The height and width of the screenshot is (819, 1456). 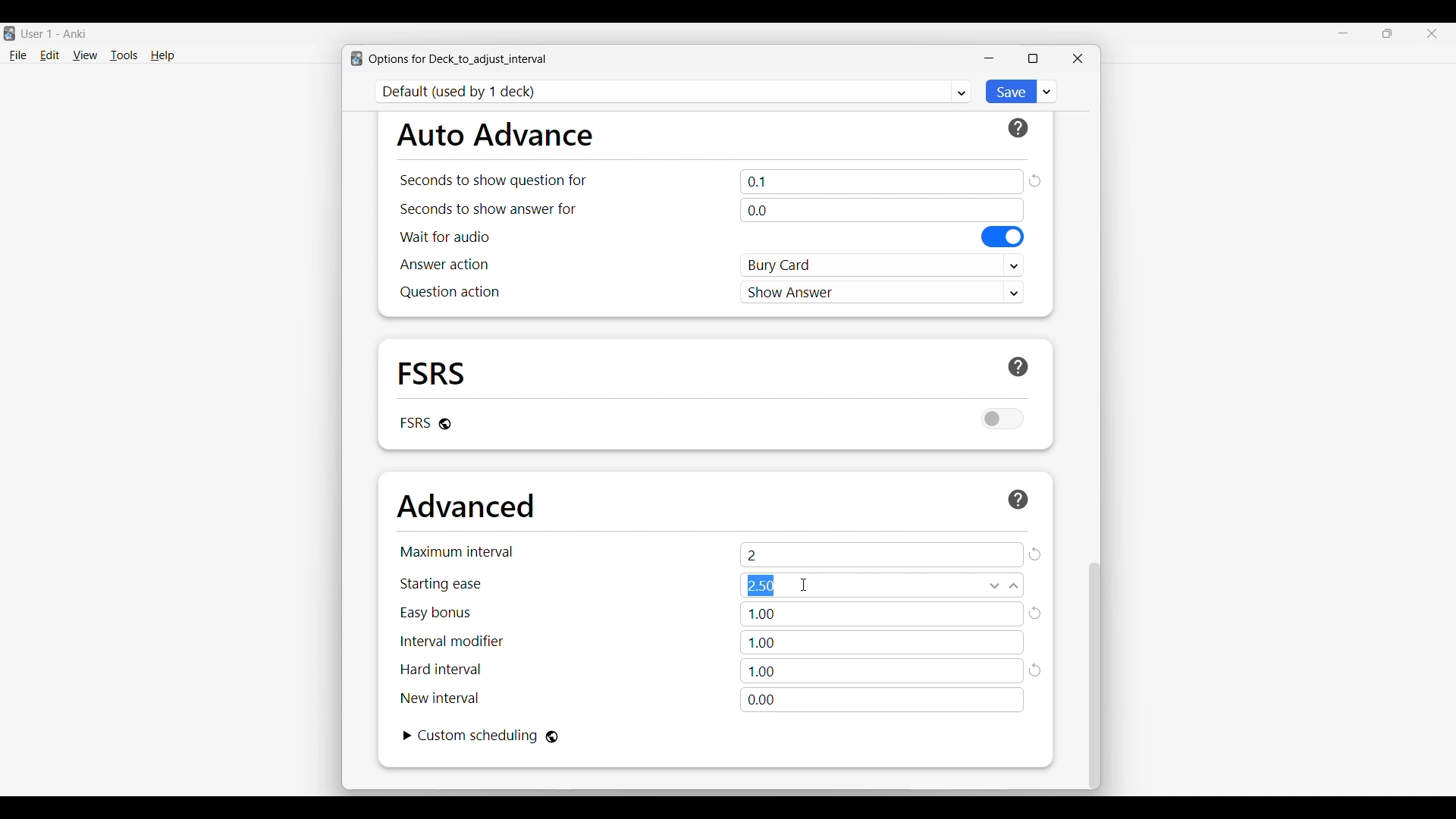 What do you see at coordinates (1035, 554) in the screenshot?
I see `reload` at bounding box center [1035, 554].